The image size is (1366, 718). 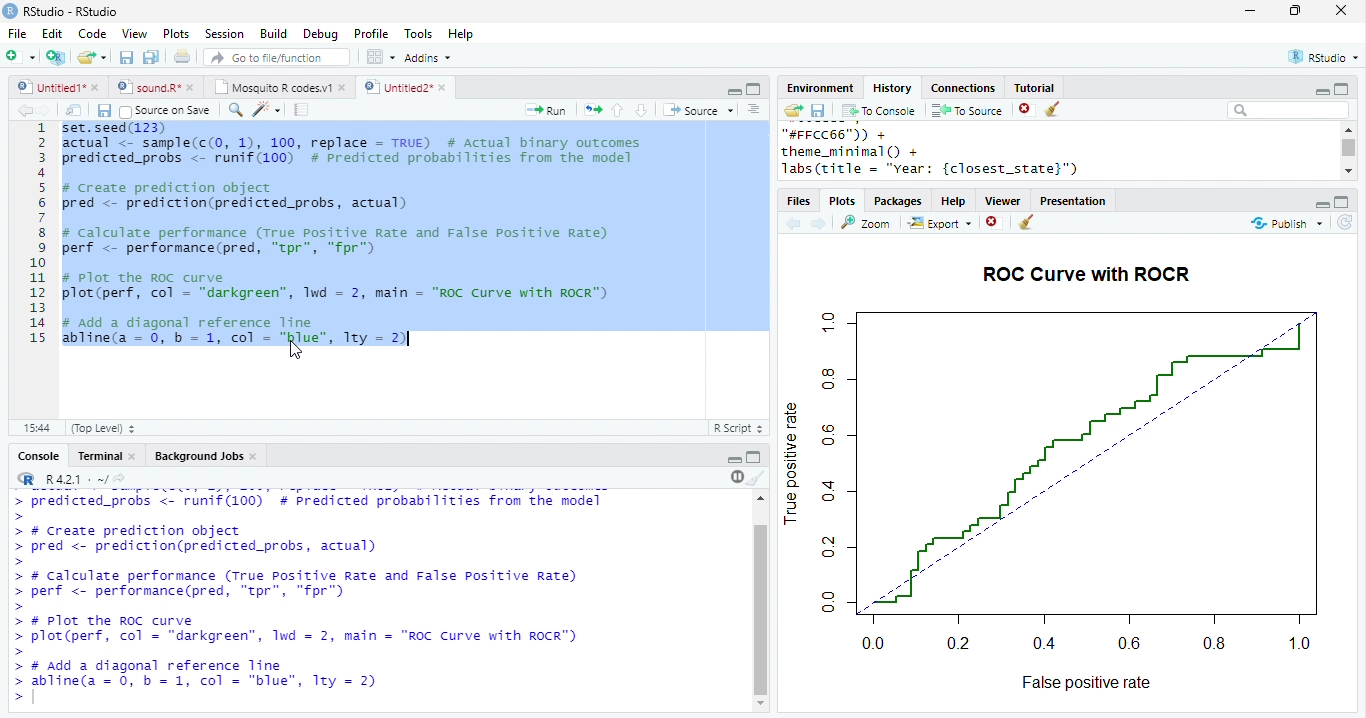 I want to click on minimize, so click(x=1321, y=92).